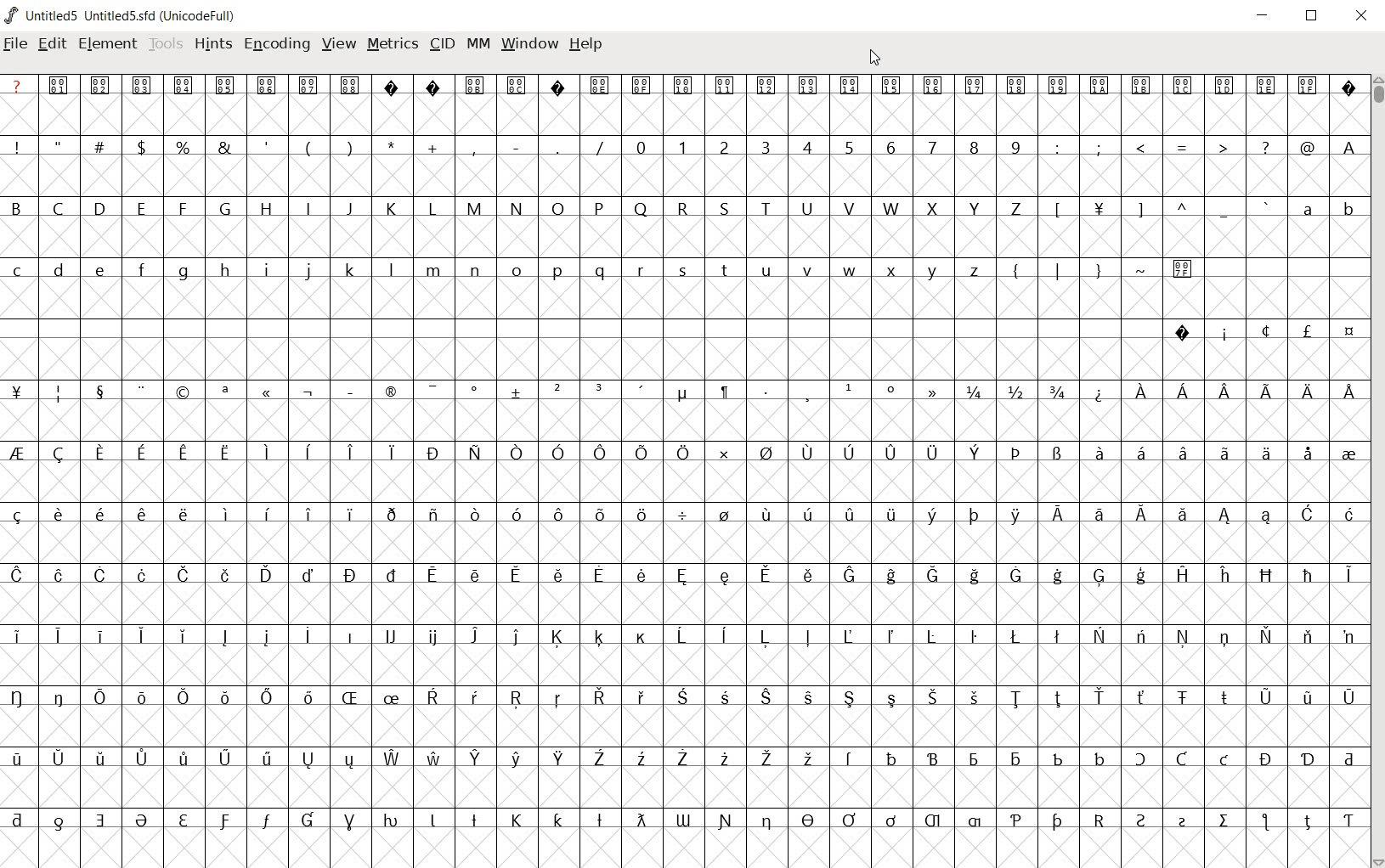 The height and width of the screenshot is (868, 1385). What do you see at coordinates (265, 637) in the screenshot?
I see `Symbol` at bounding box center [265, 637].